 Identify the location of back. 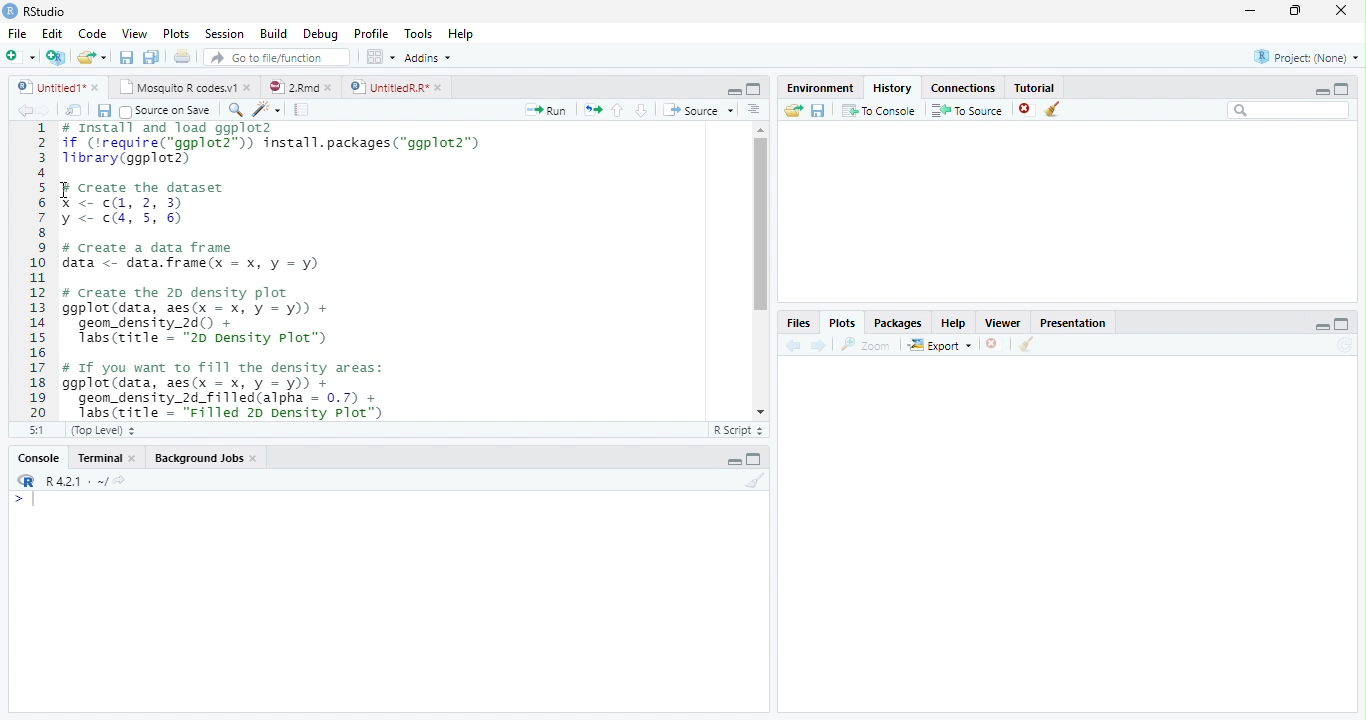
(790, 345).